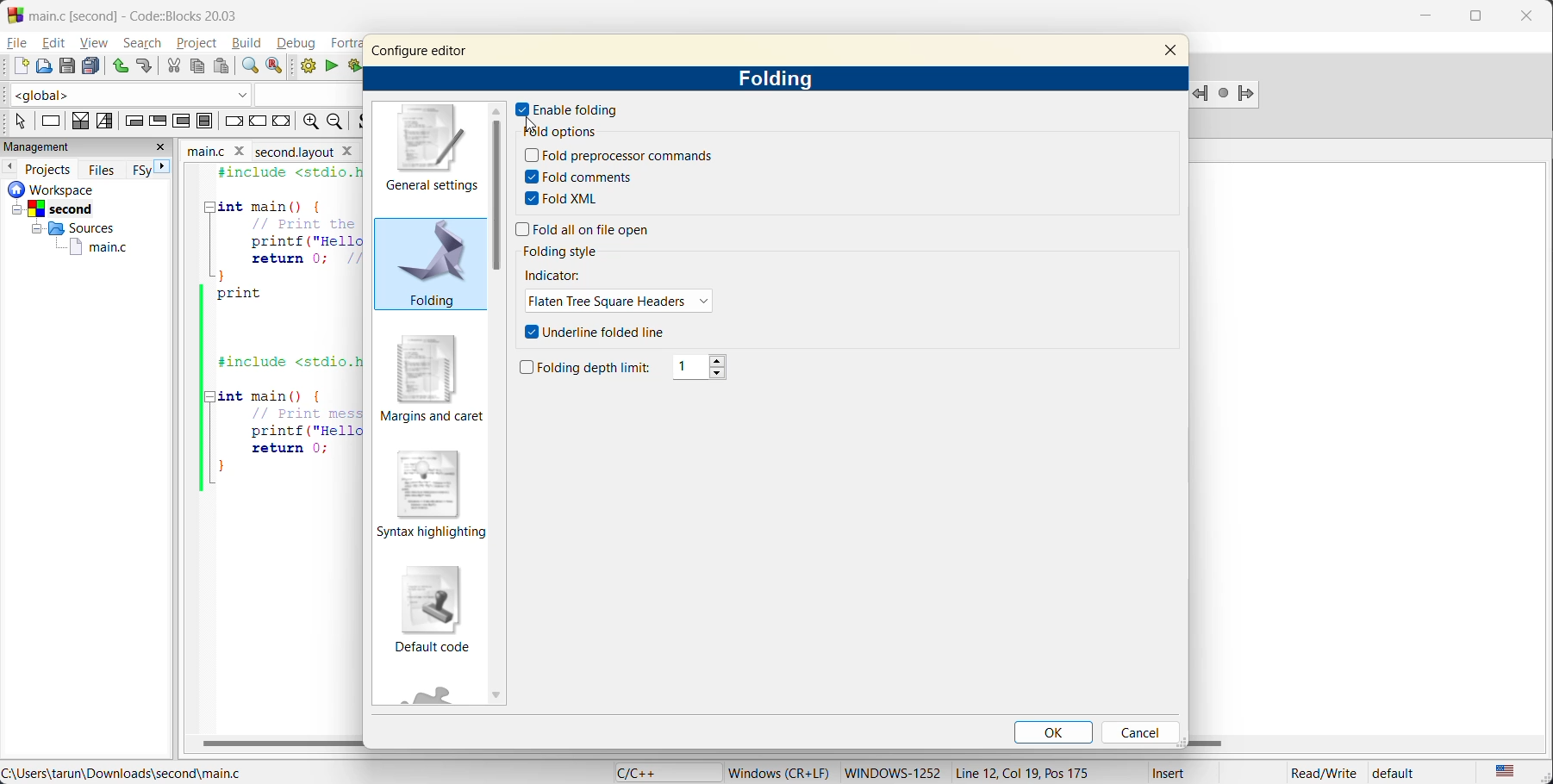  I want to click on default, so click(1410, 774).